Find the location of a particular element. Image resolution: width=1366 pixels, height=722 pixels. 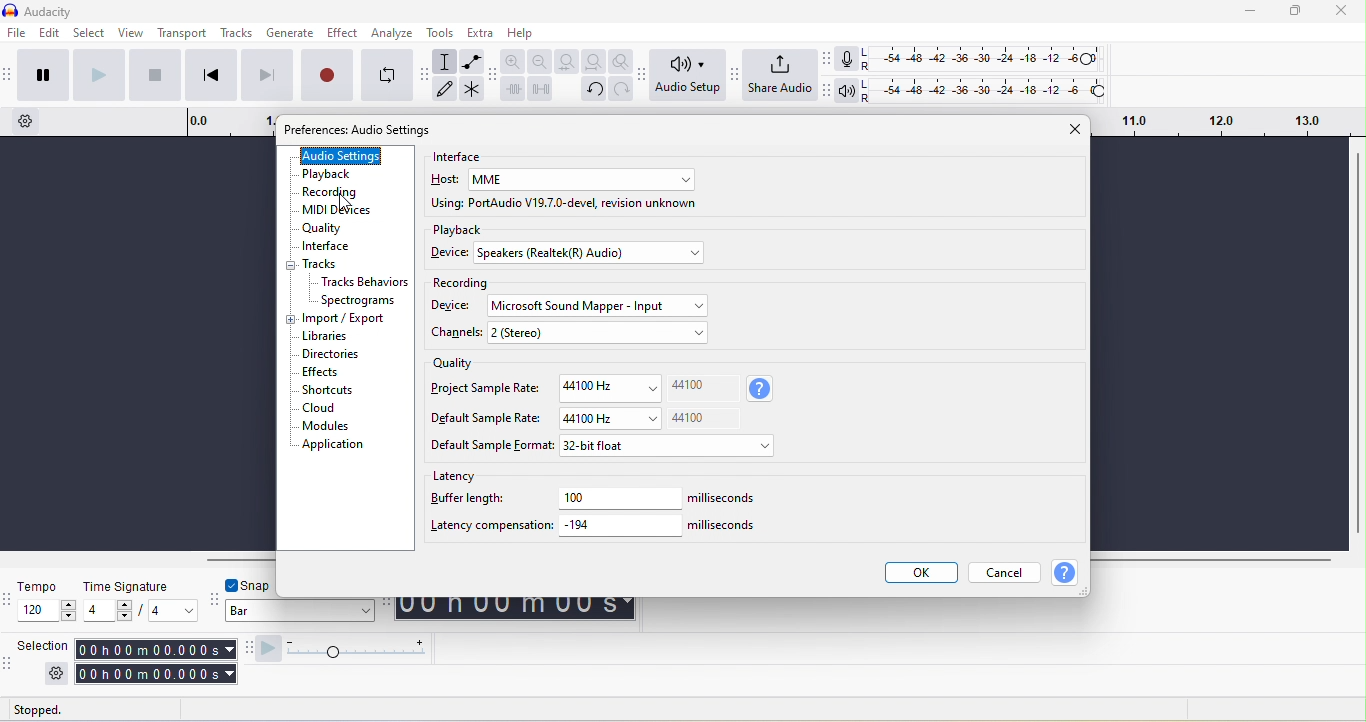

midi devices is located at coordinates (334, 209).